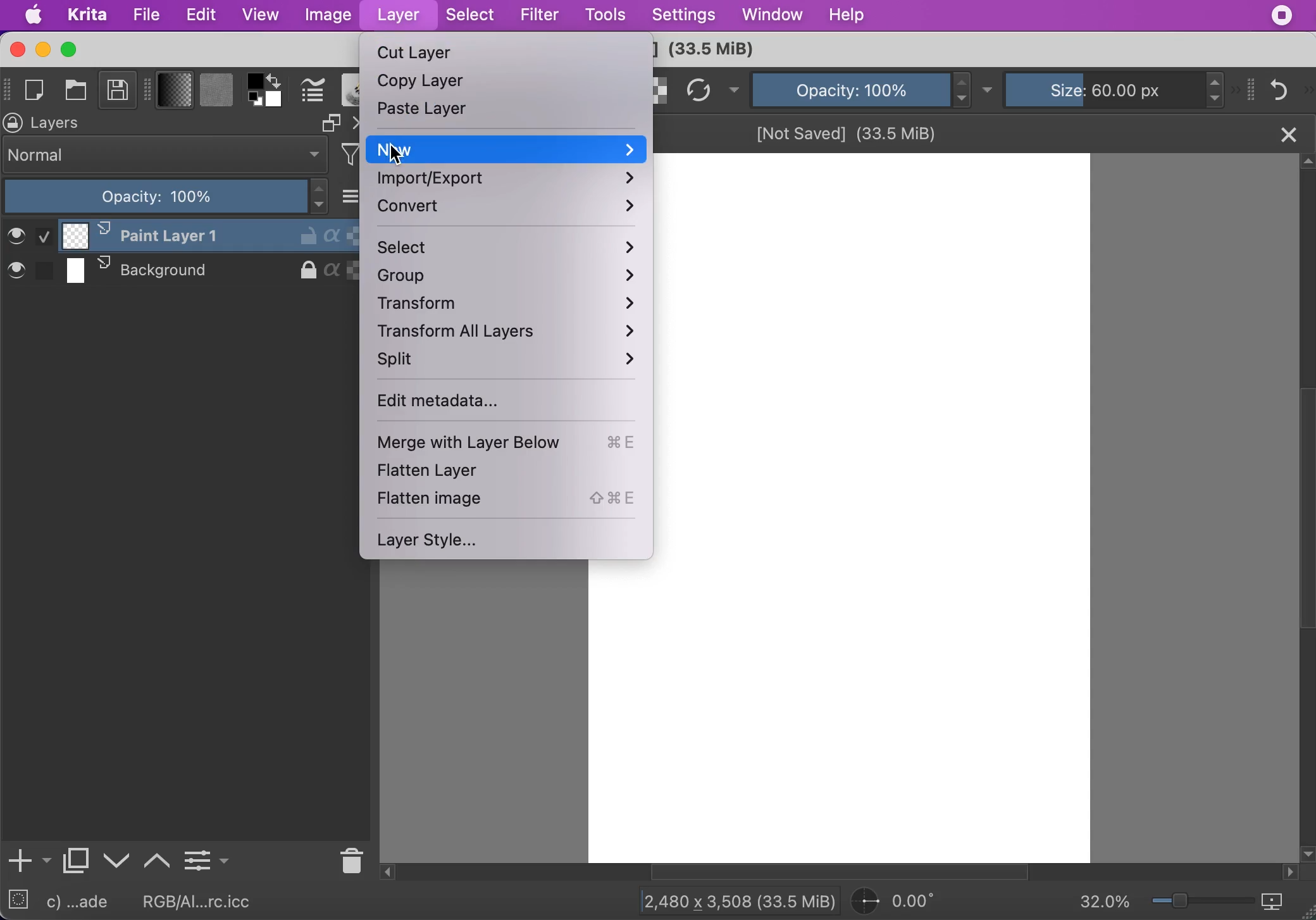 The width and height of the screenshot is (1316, 920). I want to click on show/hide panel, so click(1252, 89).